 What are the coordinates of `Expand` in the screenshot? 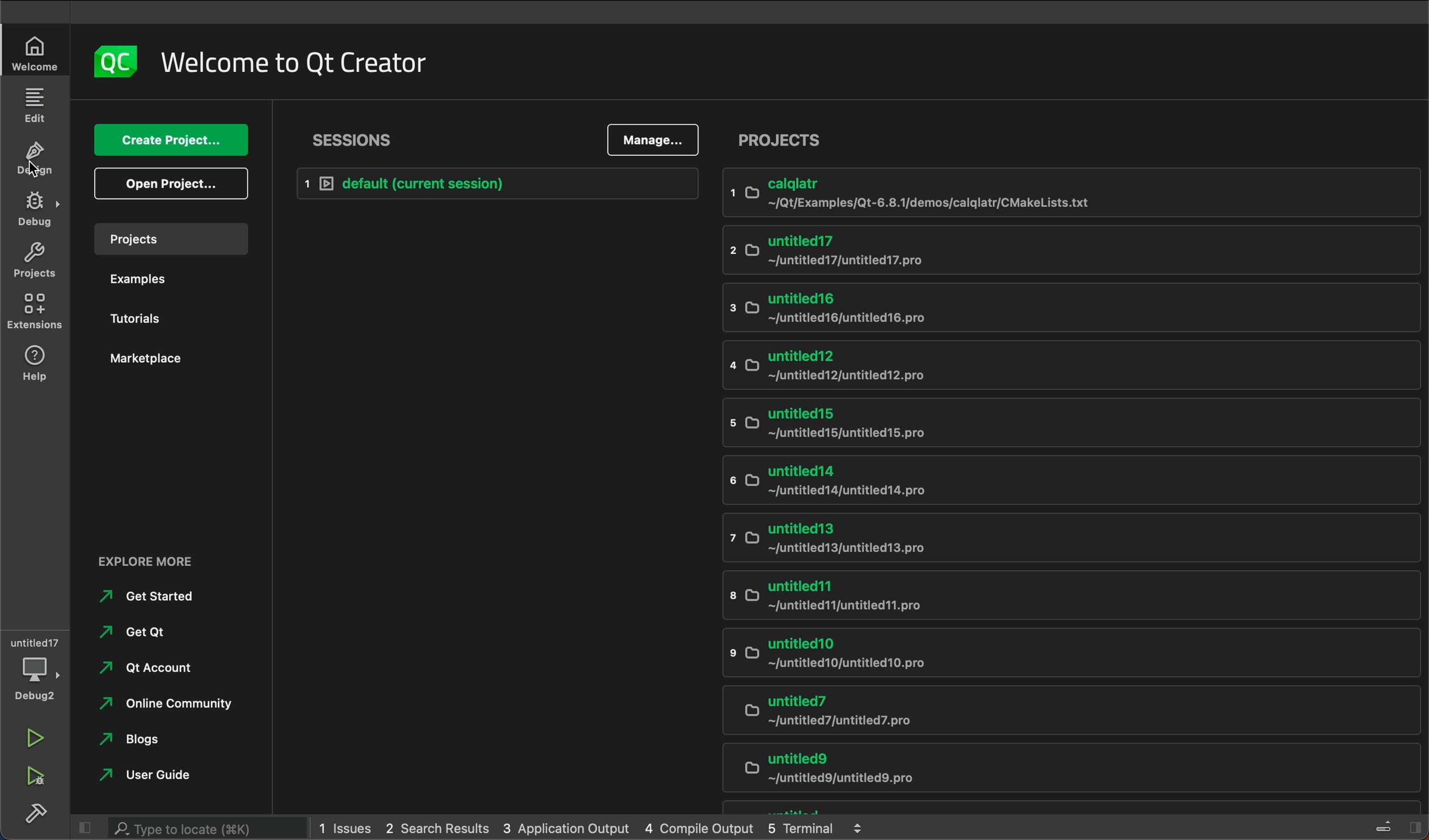 It's located at (857, 826).